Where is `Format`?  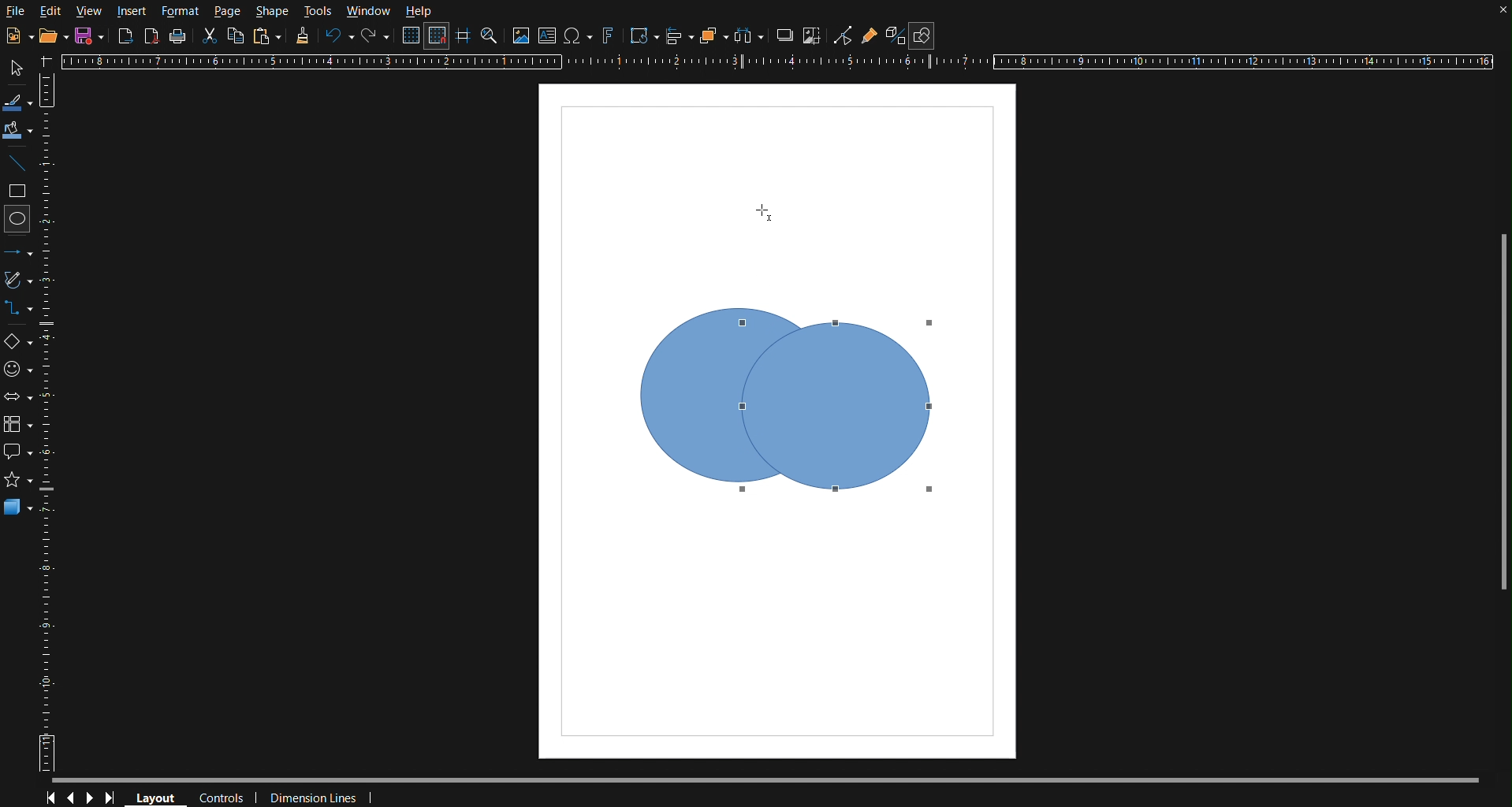
Format is located at coordinates (184, 9).